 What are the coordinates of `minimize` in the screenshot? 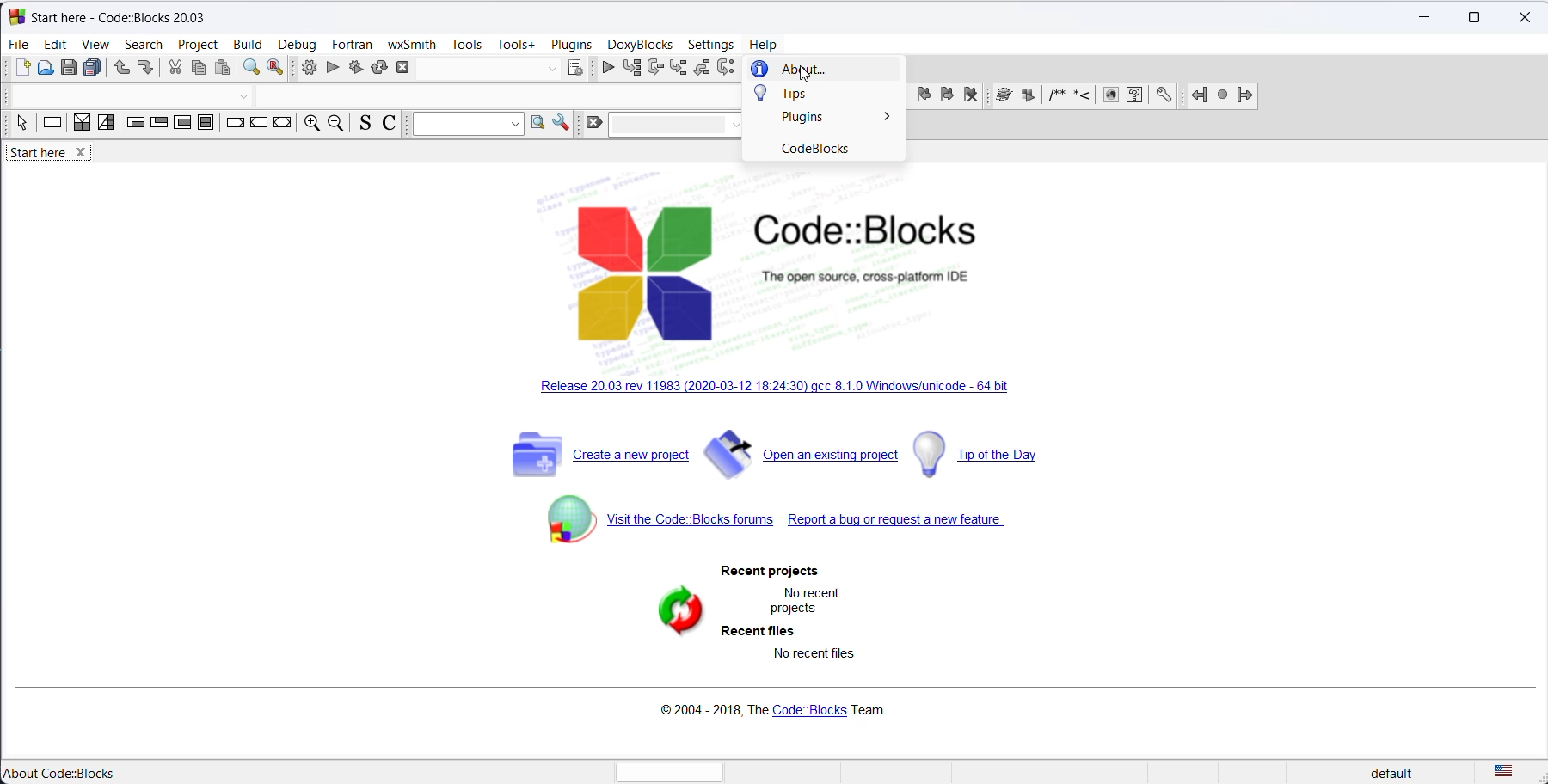 It's located at (1423, 16).